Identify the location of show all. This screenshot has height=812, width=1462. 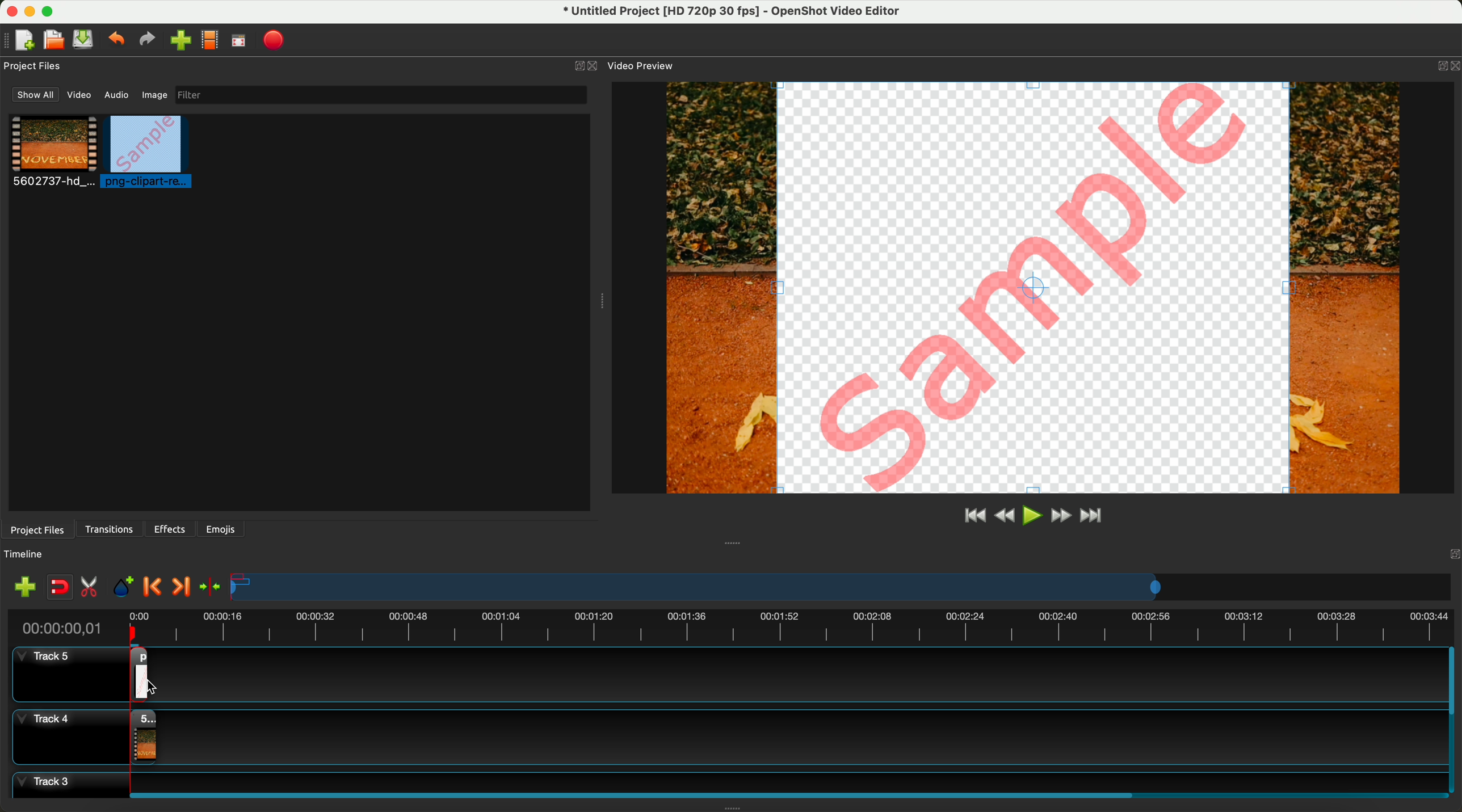
(36, 95).